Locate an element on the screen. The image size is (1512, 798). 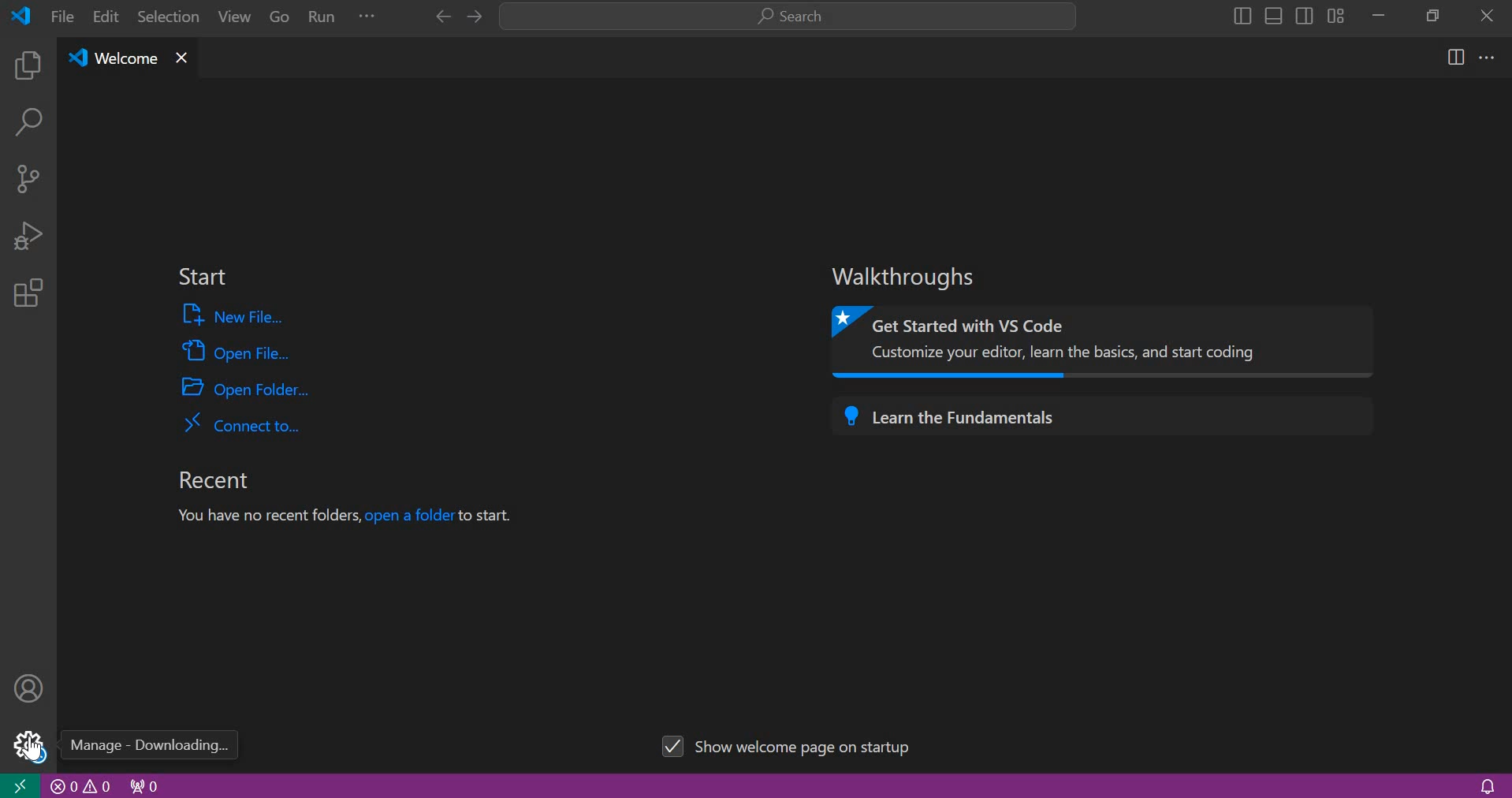
minimize is located at coordinates (1378, 15).